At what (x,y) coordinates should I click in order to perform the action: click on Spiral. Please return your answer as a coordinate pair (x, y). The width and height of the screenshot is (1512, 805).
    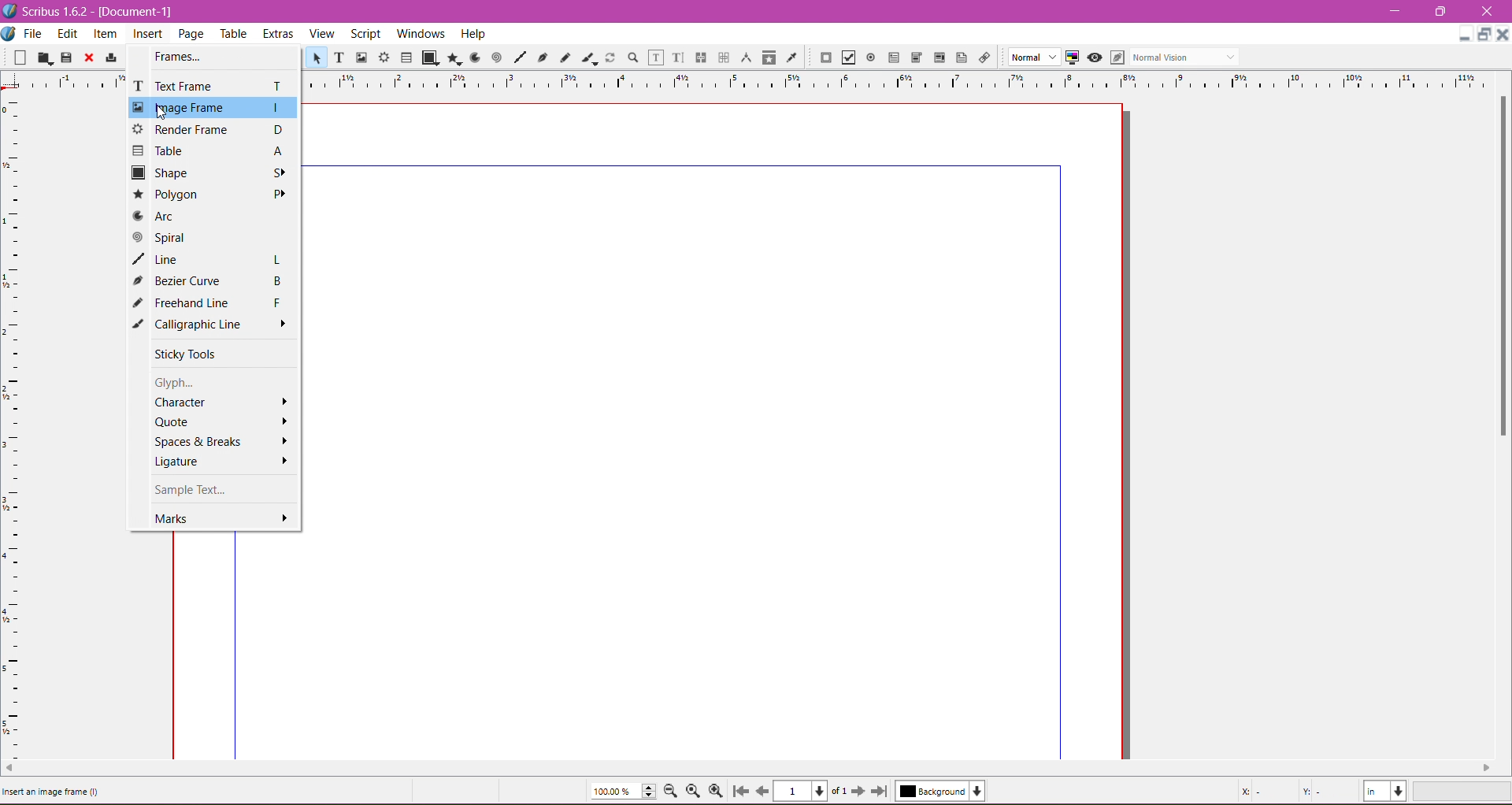
    Looking at the image, I should click on (495, 58).